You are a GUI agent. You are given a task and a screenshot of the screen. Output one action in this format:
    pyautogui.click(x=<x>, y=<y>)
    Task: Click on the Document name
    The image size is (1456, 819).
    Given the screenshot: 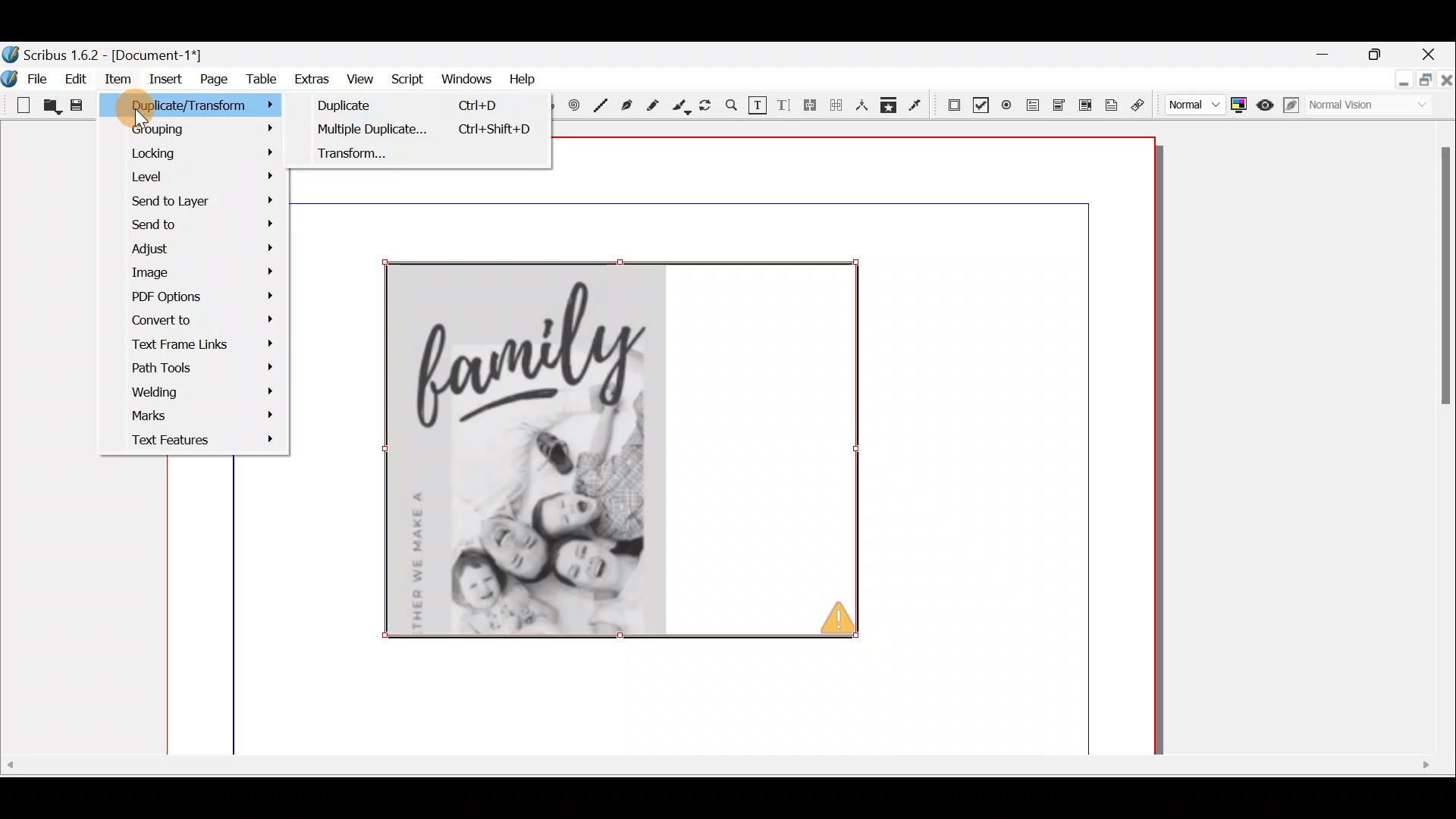 What is the action you would take?
    pyautogui.click(x=118, y=52)
    